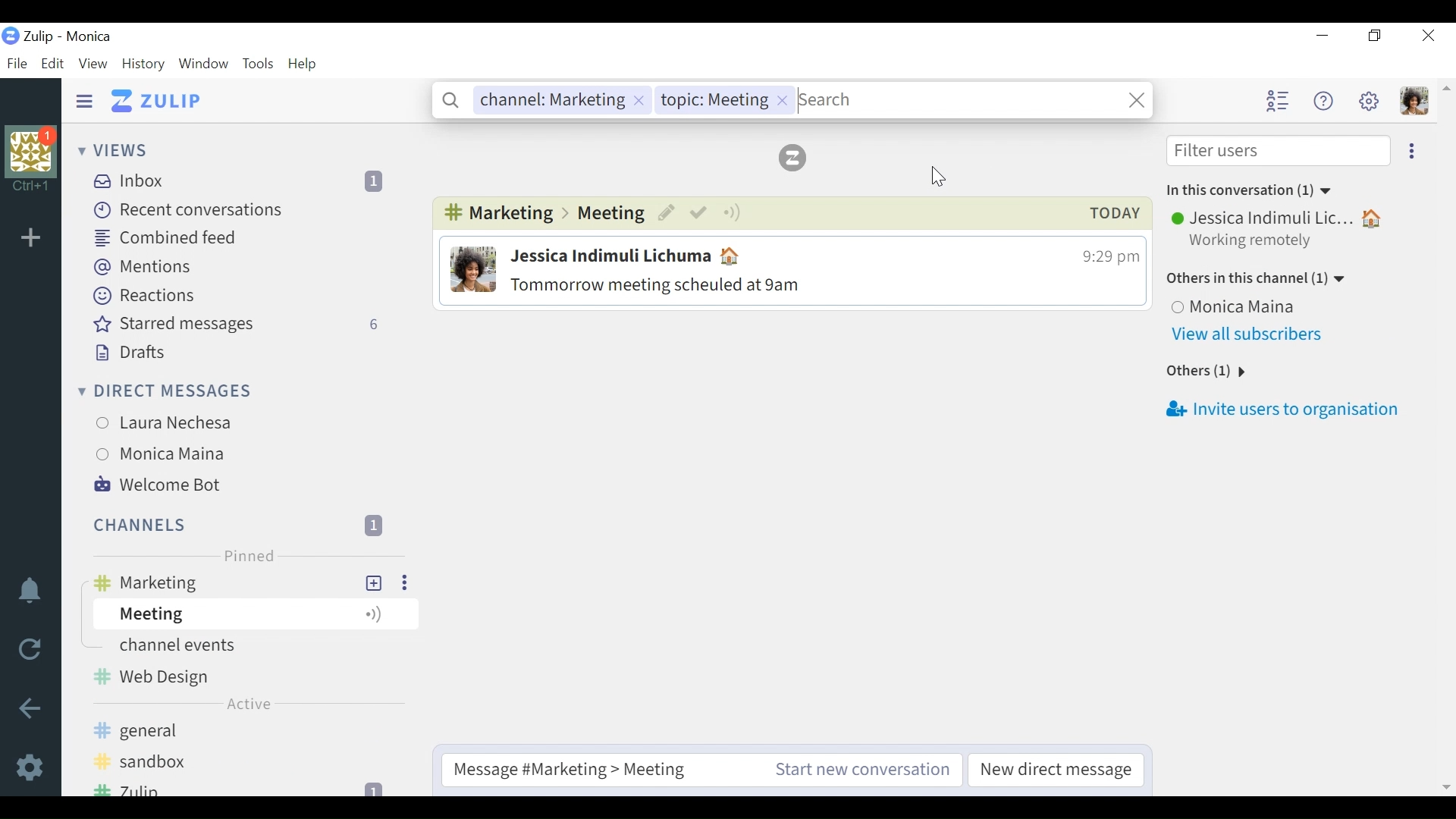  What do you see at coordinates (248, 676) in the screenshot?
I see `Web Design` at bounding box center [248, 676].